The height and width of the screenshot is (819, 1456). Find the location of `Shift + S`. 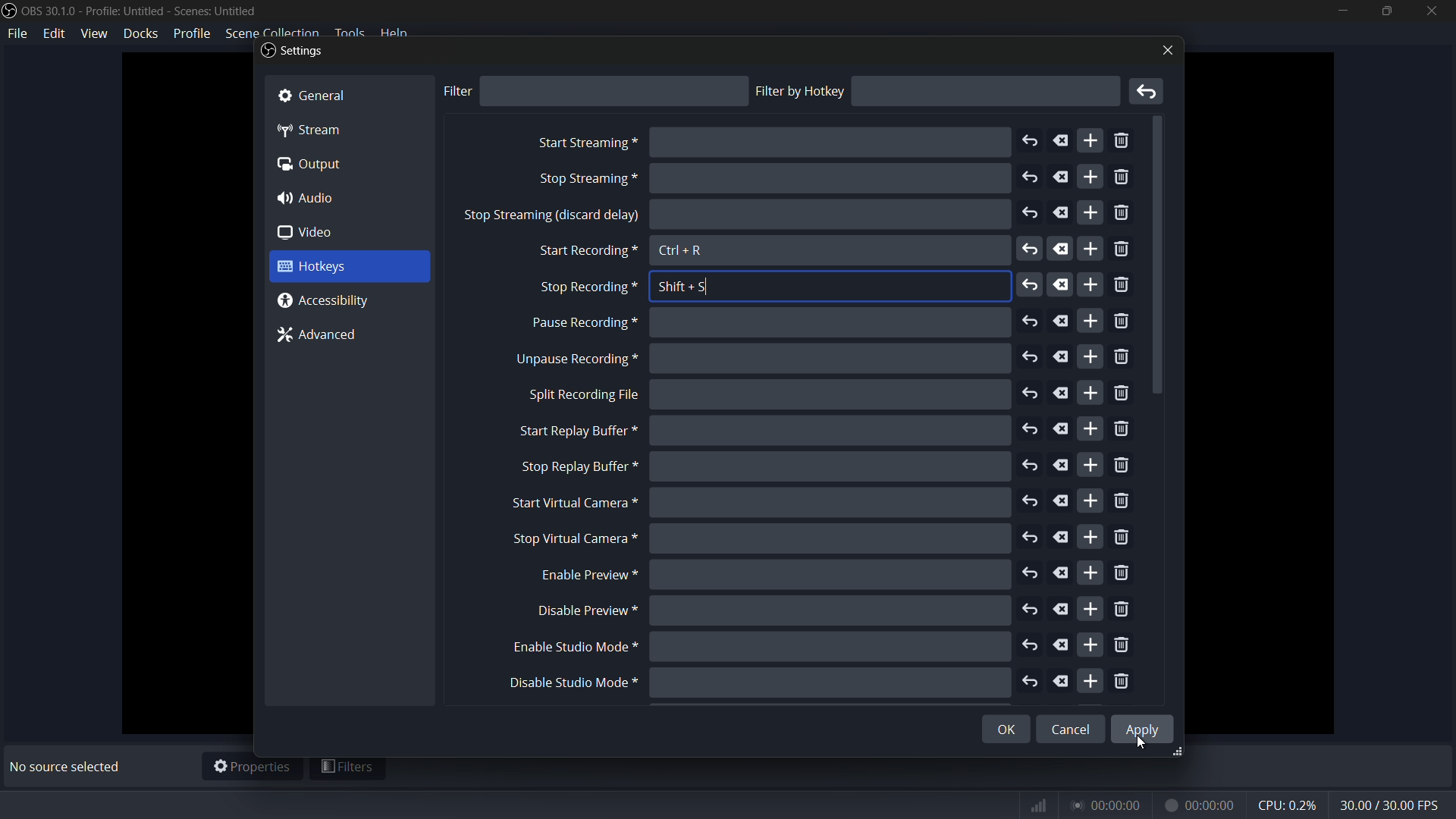

Shift + S is located at coordinates (682, 287).